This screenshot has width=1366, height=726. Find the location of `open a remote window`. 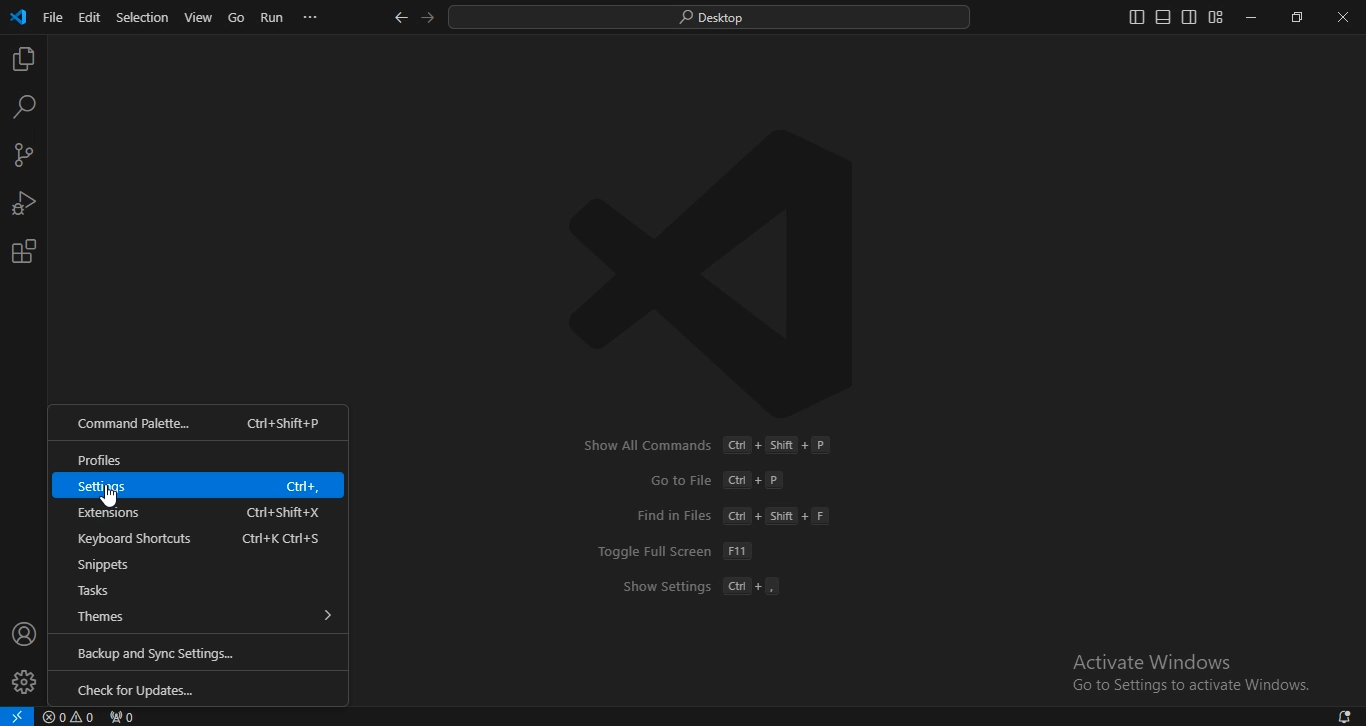

open a remote window is located at coordinates (18, 715).